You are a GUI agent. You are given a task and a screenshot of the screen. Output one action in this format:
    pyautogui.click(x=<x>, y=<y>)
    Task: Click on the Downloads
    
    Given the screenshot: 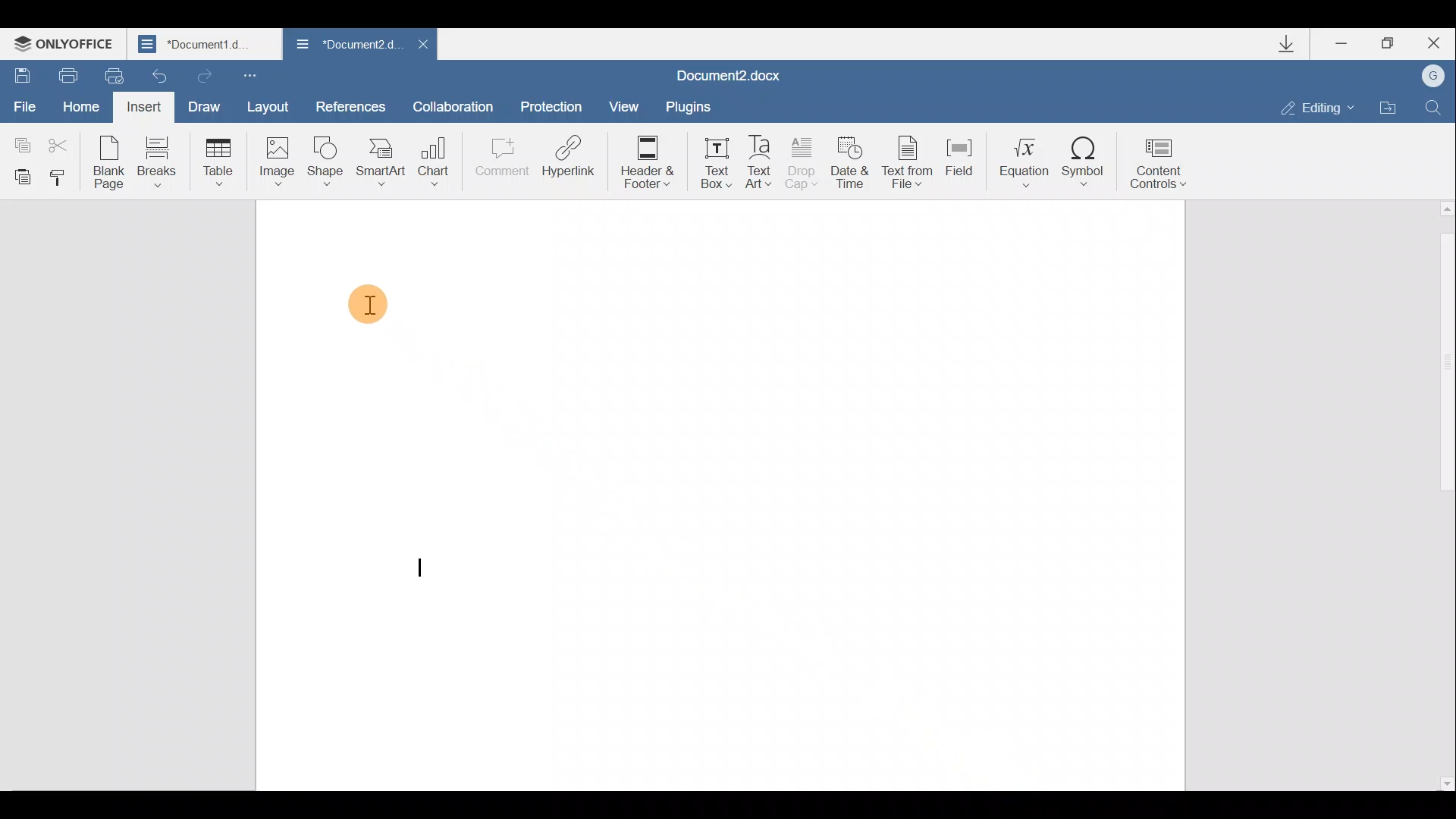 What is the action you would take?
    pyautogui.click(x=1295, y=47)
    